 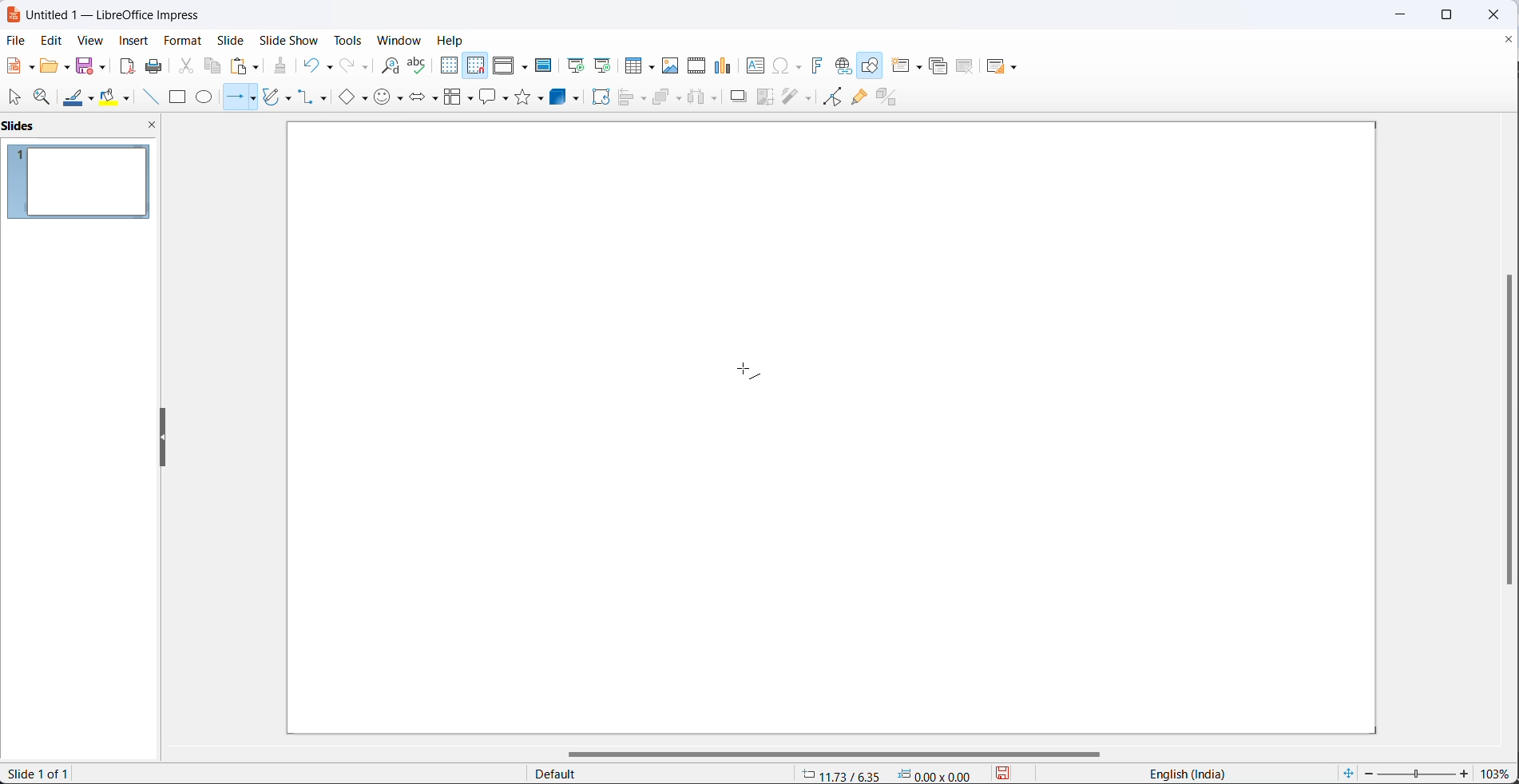 I want to click on zoom percentage, so click(x=1499, y=771).